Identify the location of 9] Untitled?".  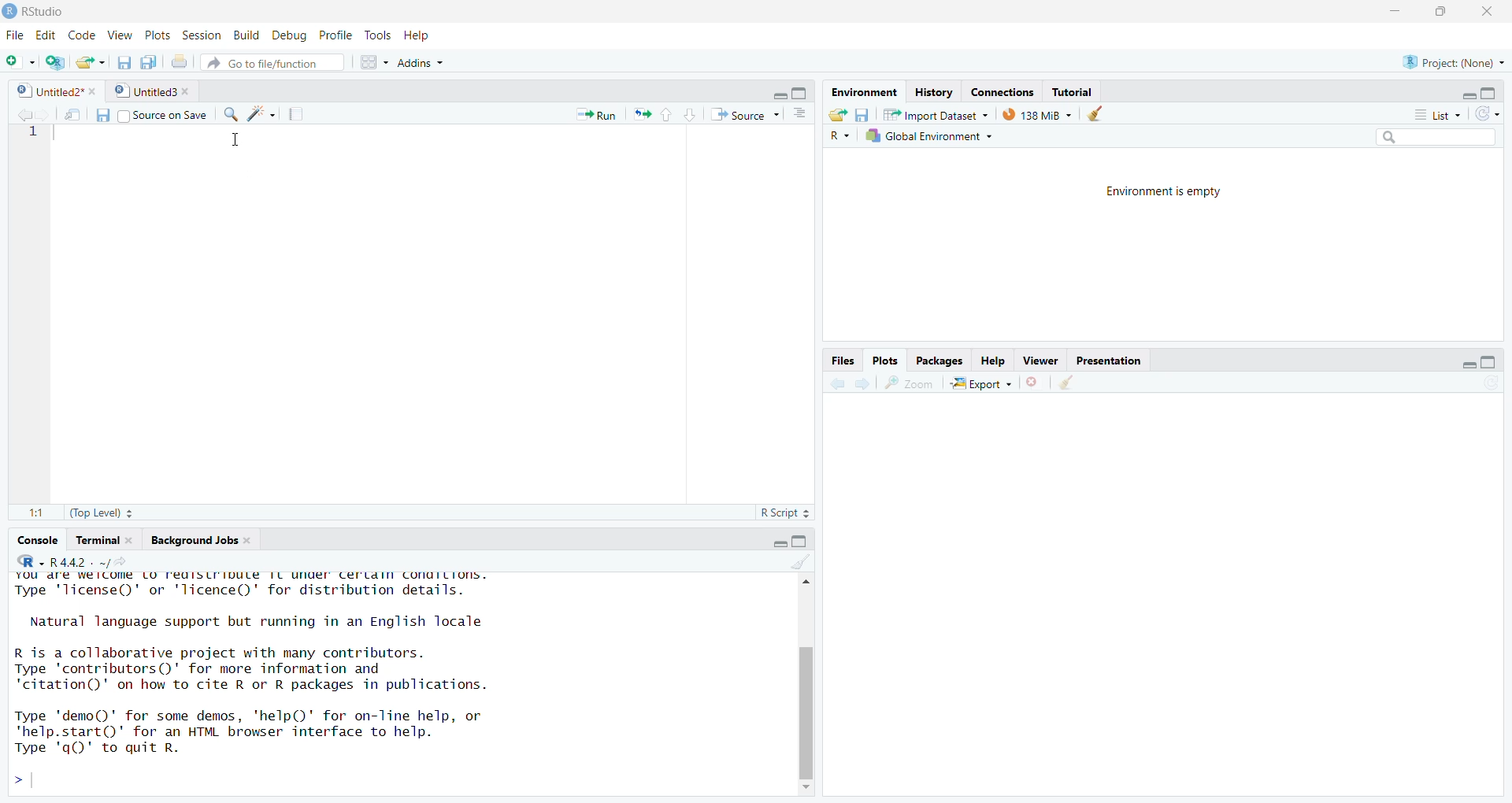
(48, 92).